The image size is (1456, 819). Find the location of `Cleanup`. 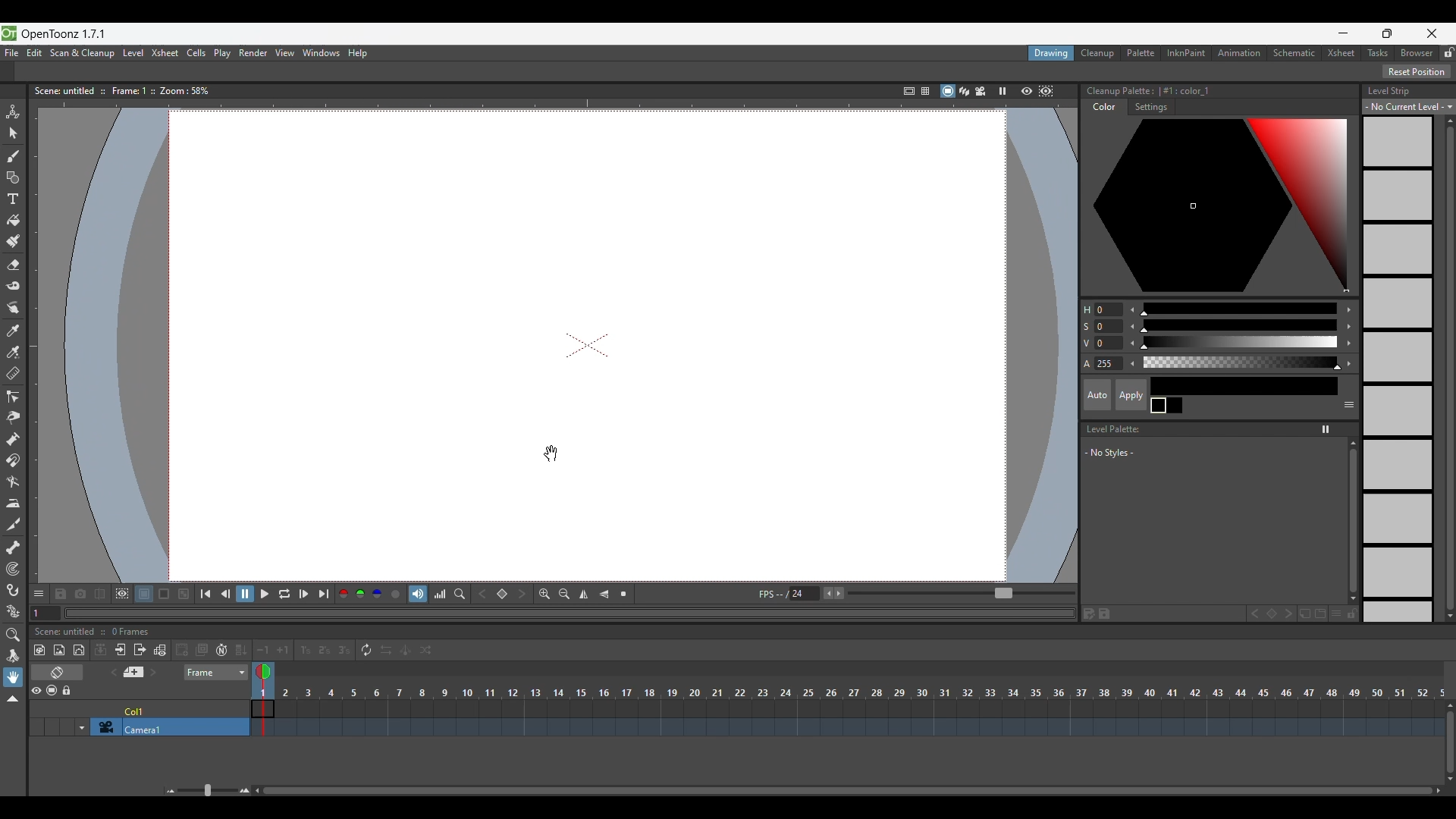

Cleanup is located at coordinates (1097, 53).